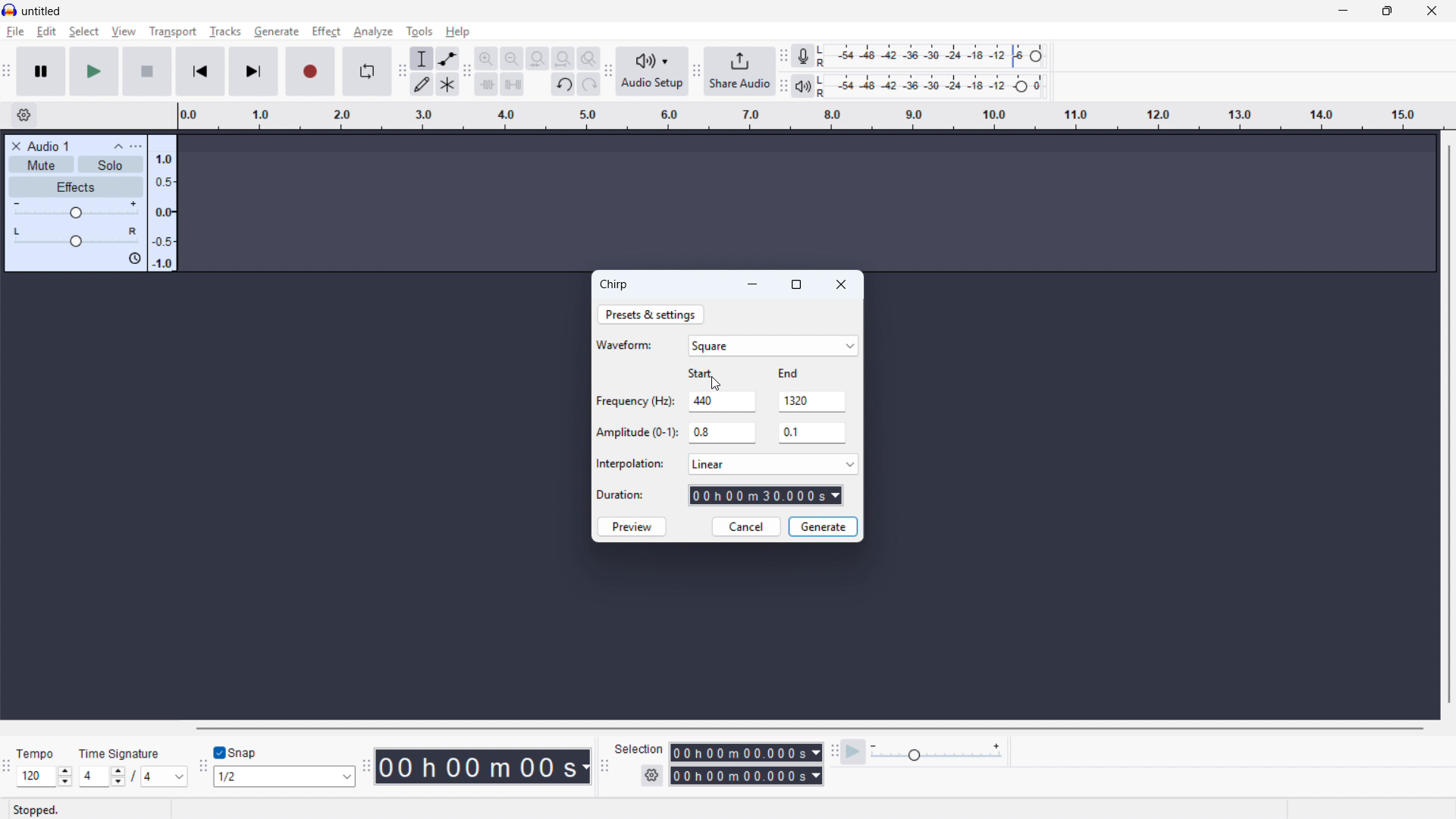  Describe the element at coordinates (651, 777) in the screenshot. I see `Selection settings ` at that location.